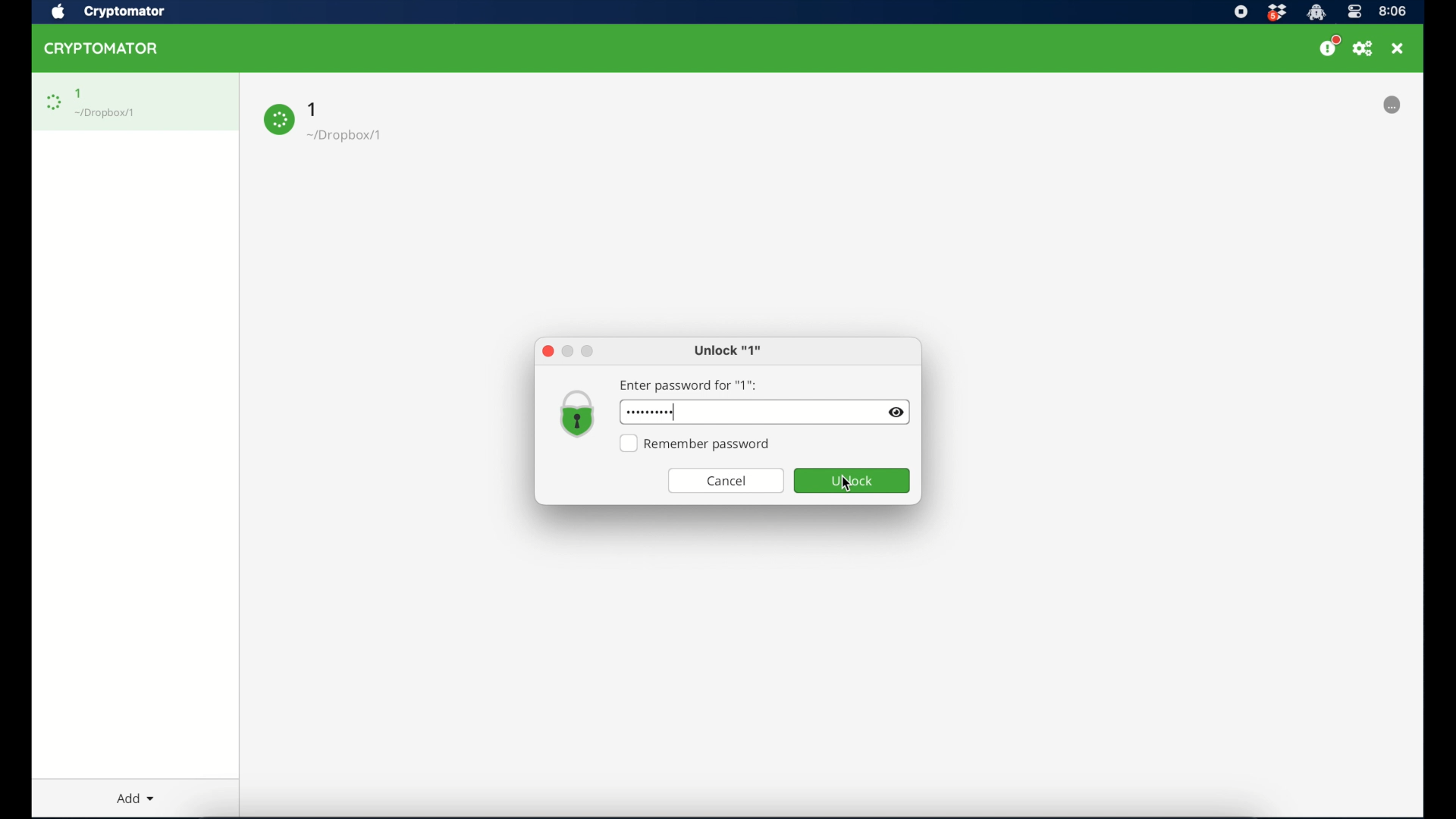  Describe the element at coordinates (108, 51) in the screenshot. I see `CRYPTOMATOR` at that location.